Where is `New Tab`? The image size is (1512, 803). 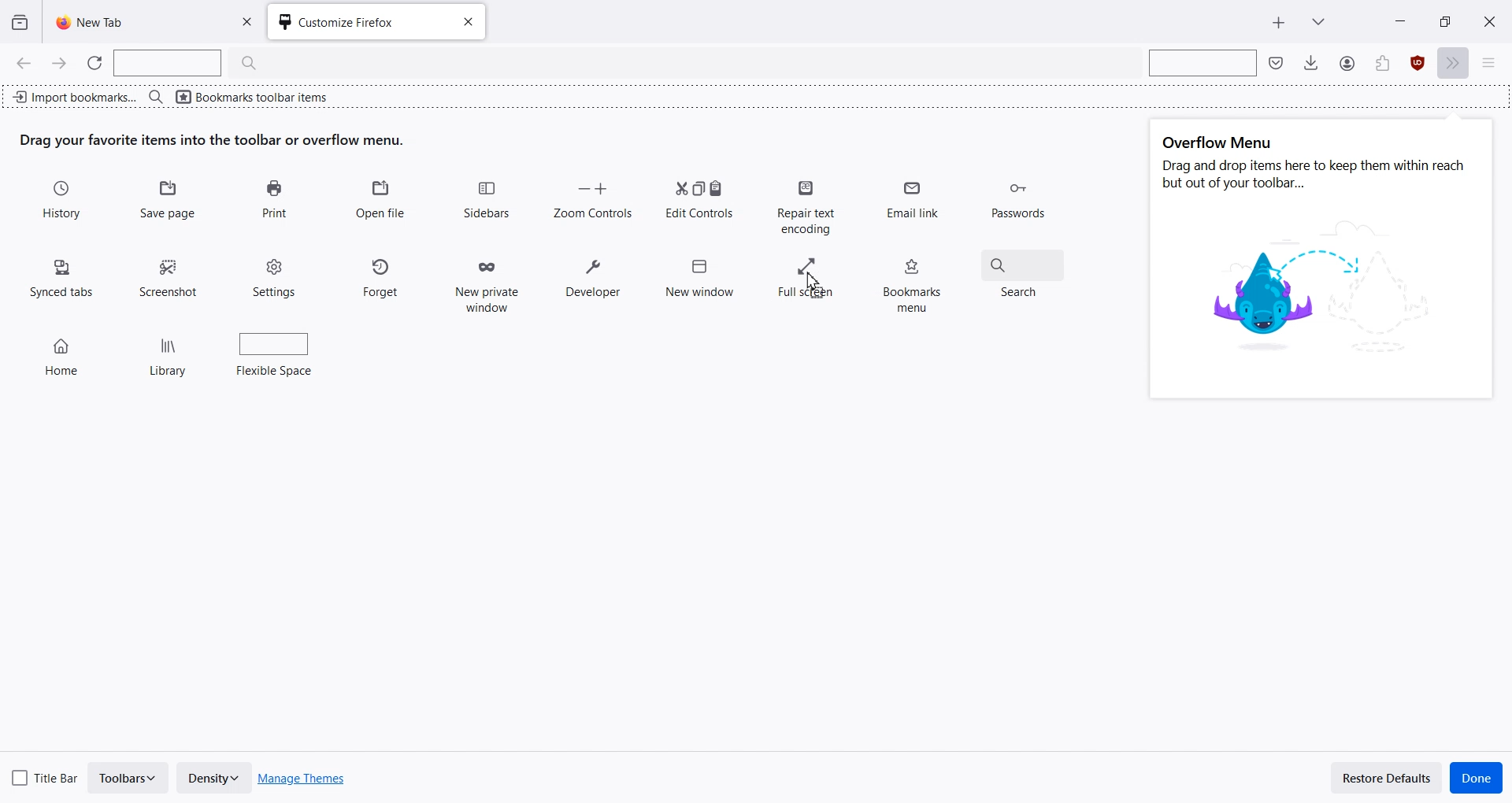
New Tab is located at coordinates (132, 21).